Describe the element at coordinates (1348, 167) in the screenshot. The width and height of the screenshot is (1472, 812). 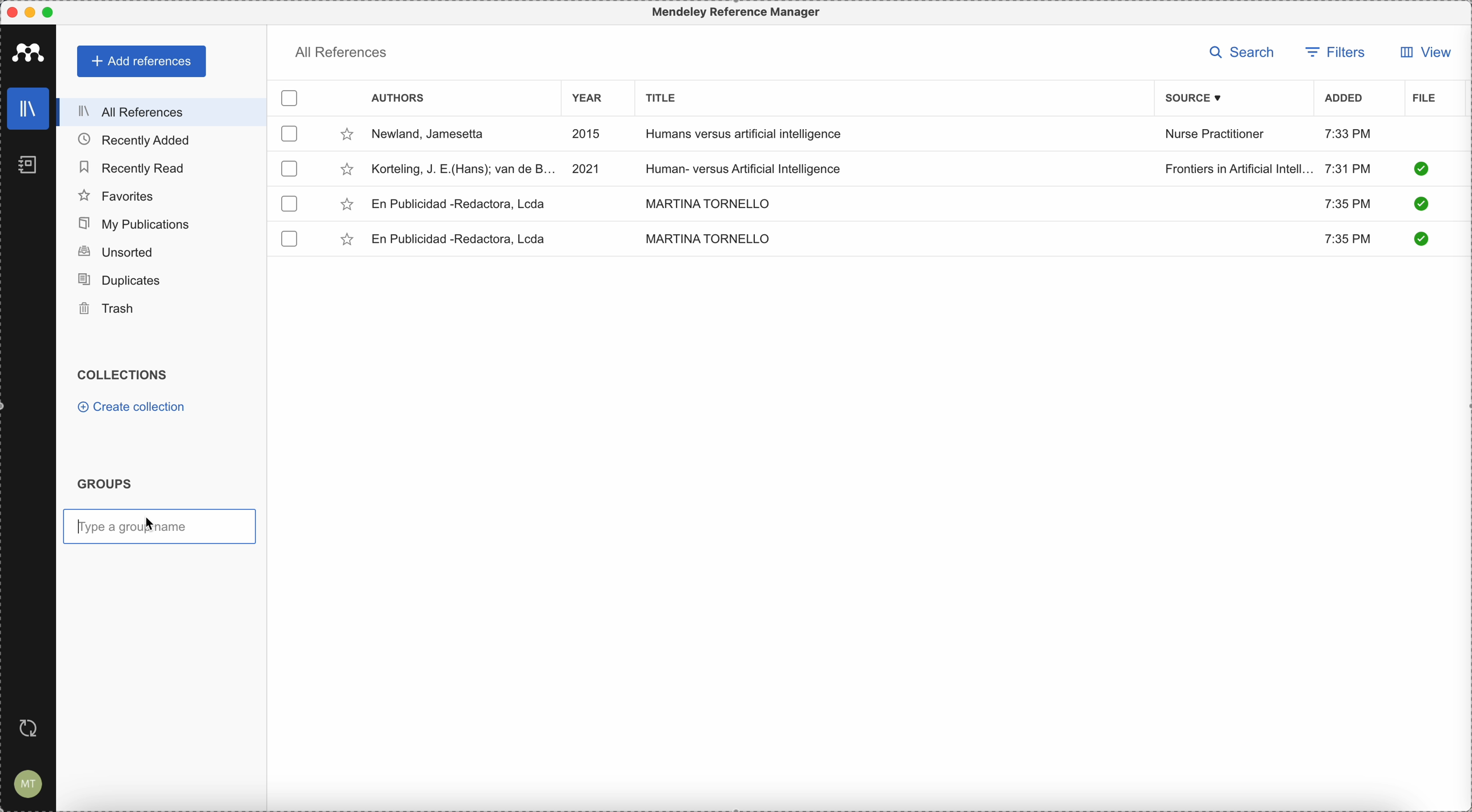
I see `7:31 PM` at that location.